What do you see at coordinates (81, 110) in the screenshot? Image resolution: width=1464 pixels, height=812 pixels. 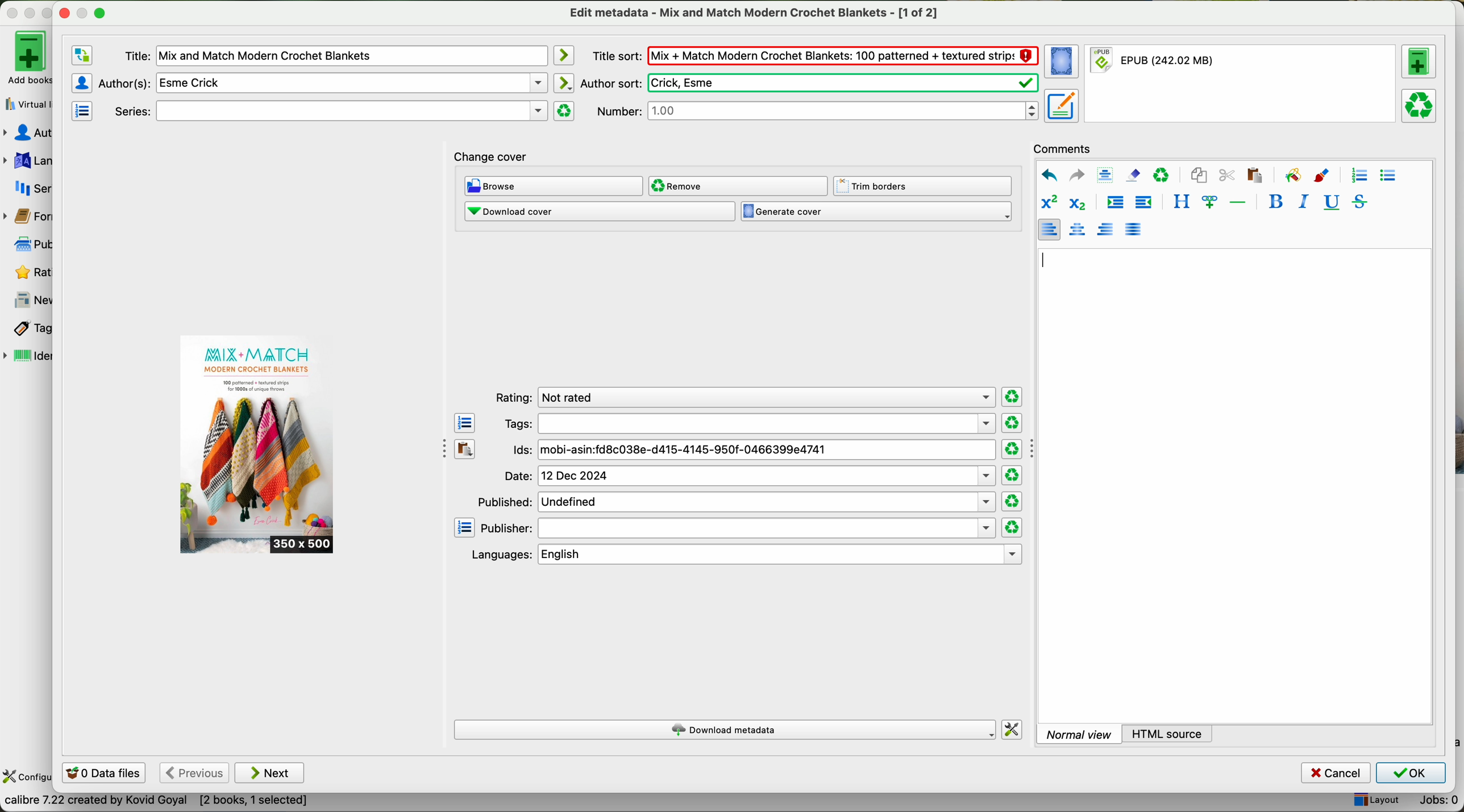 I see `set the series manage editor` at bounding box center [81, 110].